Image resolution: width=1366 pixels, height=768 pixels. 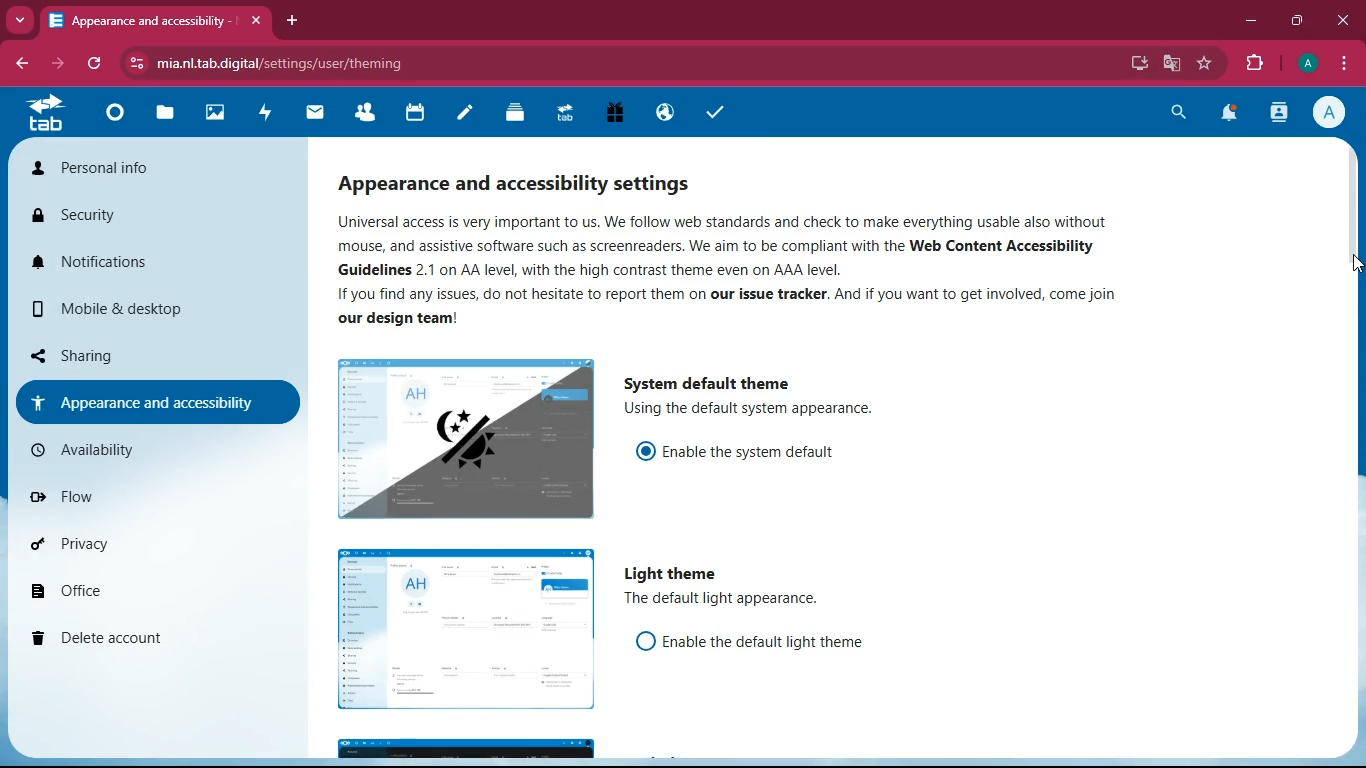 I want to click on files, so click(x=165, y=115).